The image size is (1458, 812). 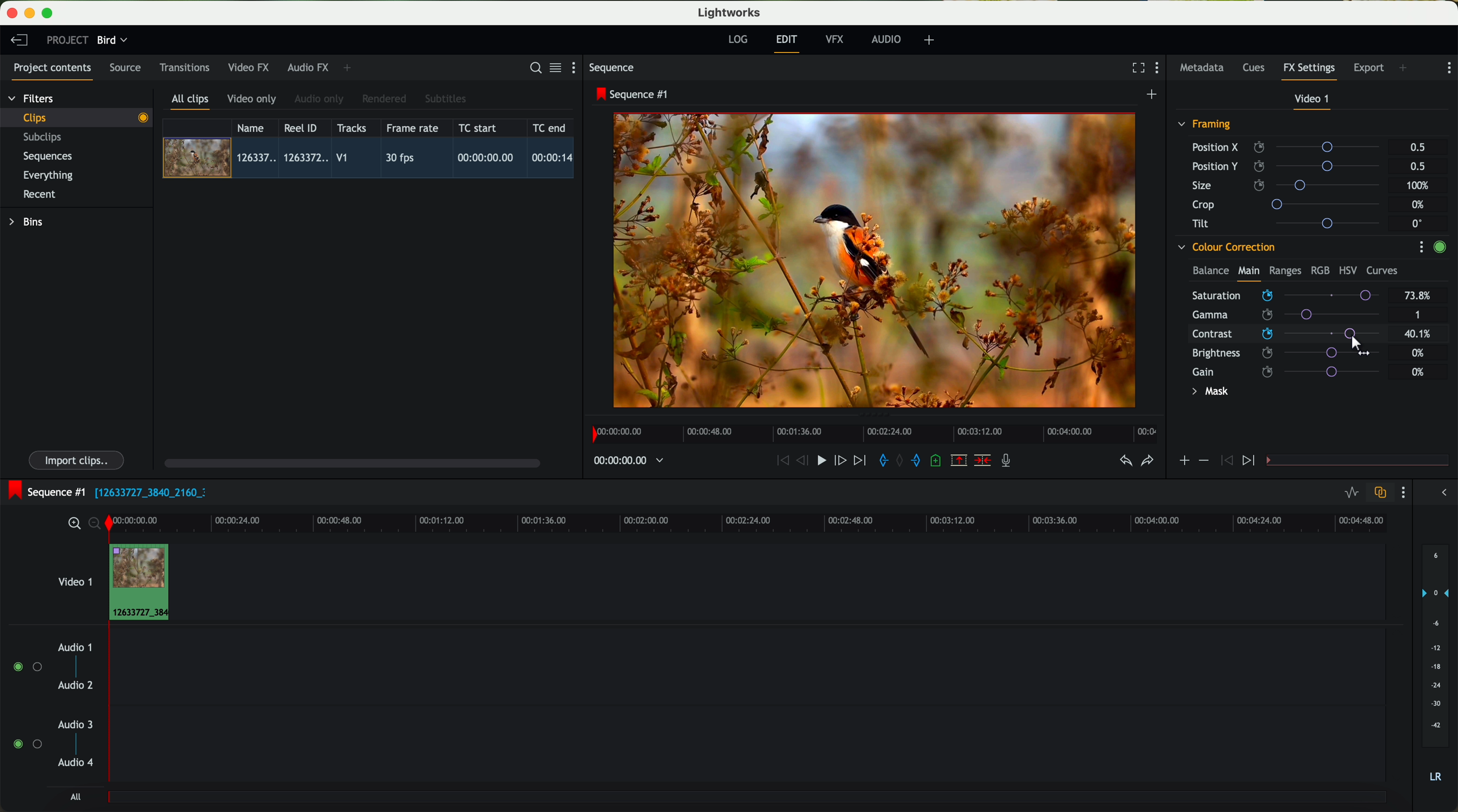 What do you see at coordinates (937, 461) in the screenshot?
I see `add a cue at the current position` at bounding box center [937, 461].